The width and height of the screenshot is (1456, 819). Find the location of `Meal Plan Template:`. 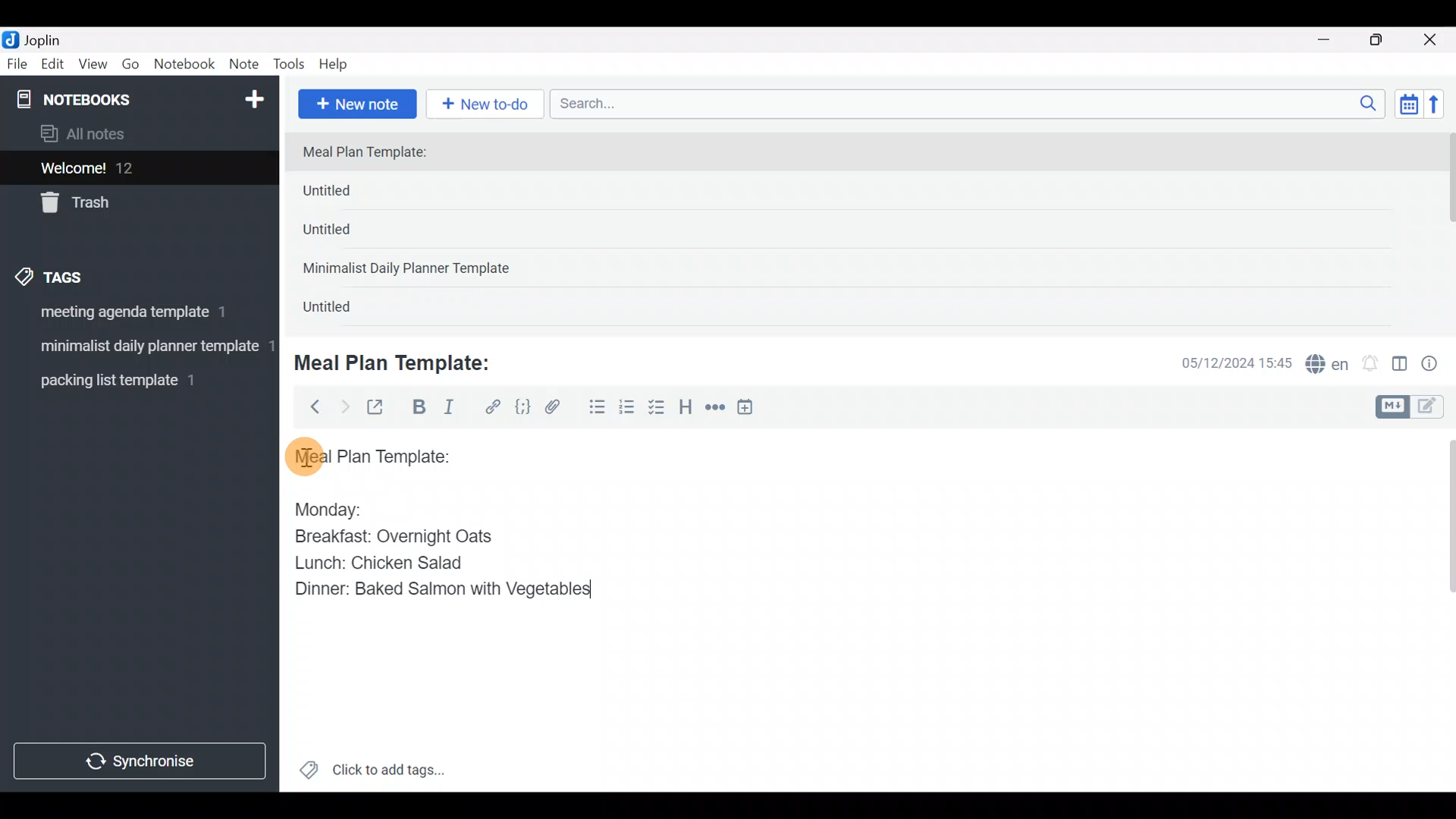

Meal Plan Template: is located at coordinates (374, 153).